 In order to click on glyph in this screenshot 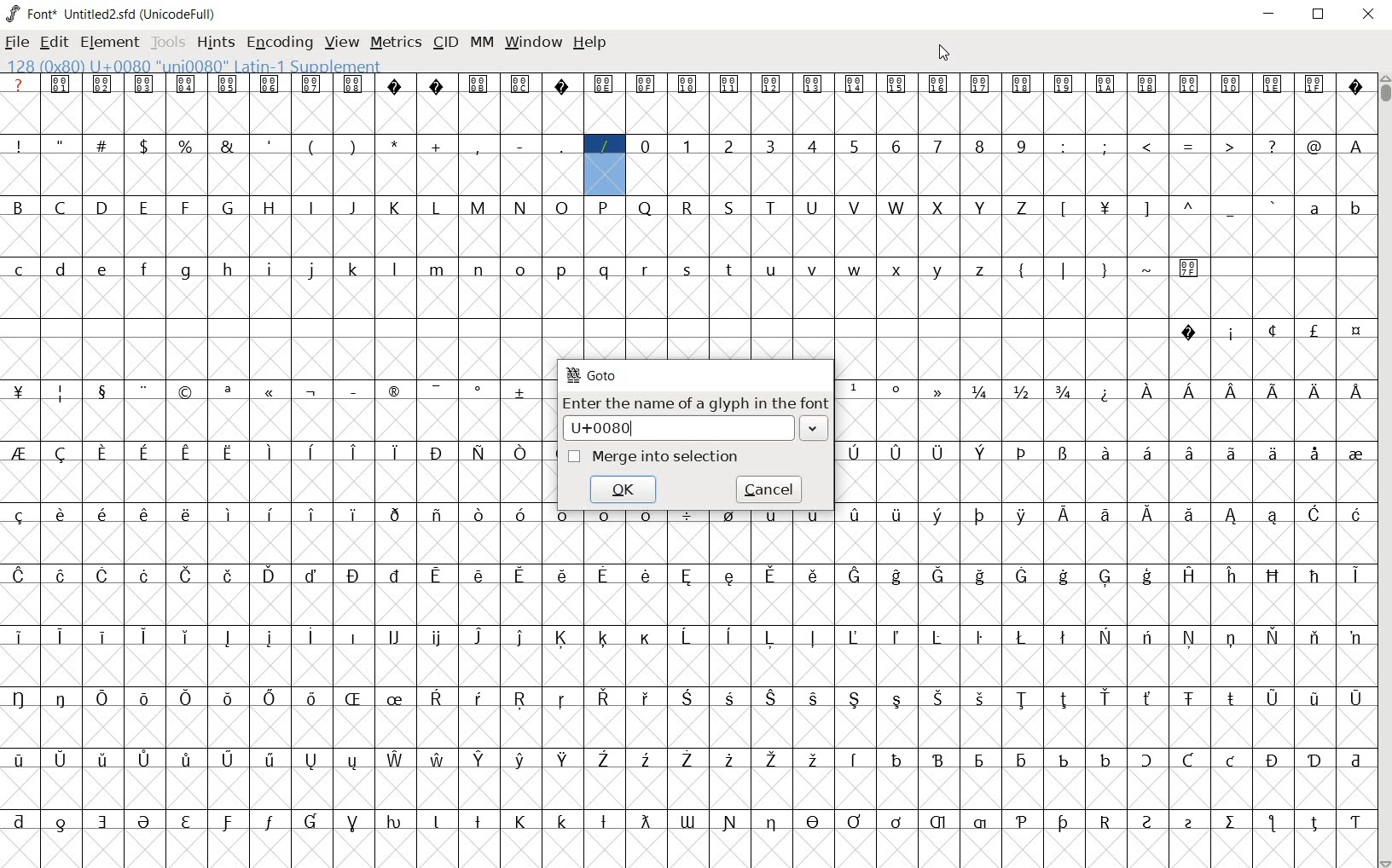, I will do `click(855, 270)`.